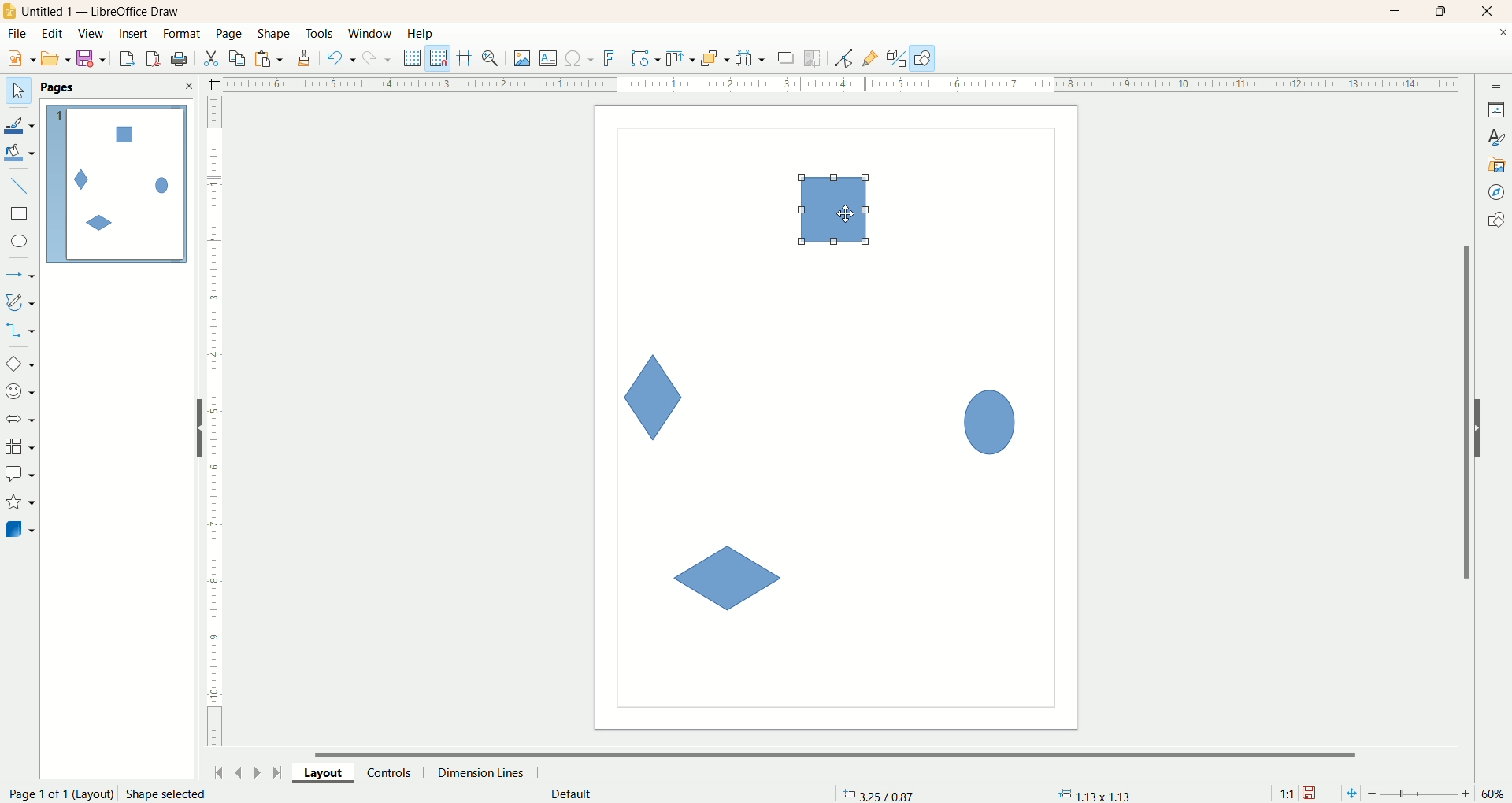 This screenshot has height=803, width=1512. Describe the element at coordinates (421, 34) in the screenshot. I see `help` at that location.